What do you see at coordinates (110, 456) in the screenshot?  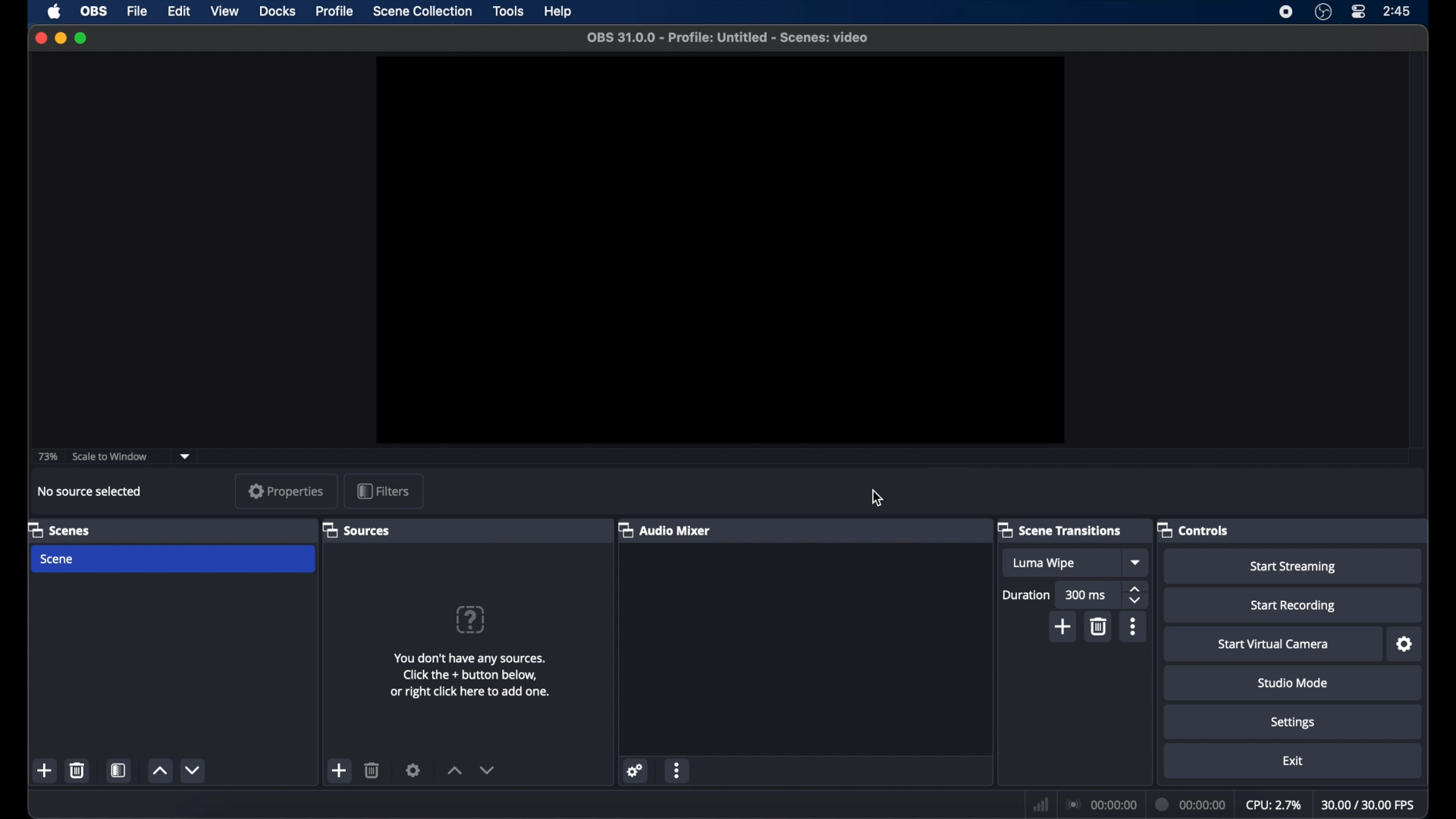 I see `scale to window` at bounding box center [110, 456].